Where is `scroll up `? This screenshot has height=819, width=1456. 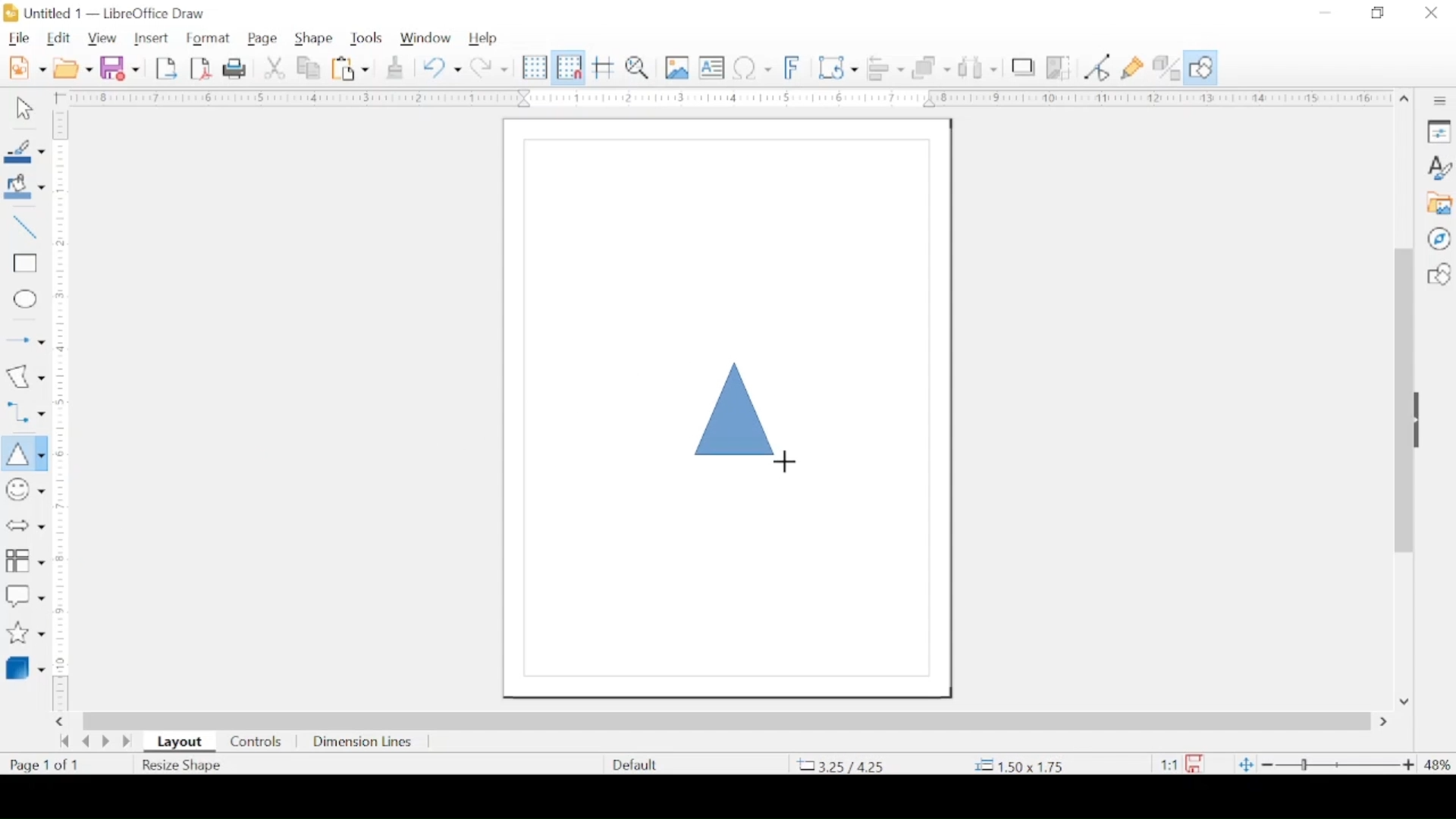
scroll up  is located at coordinates (1404, 99).